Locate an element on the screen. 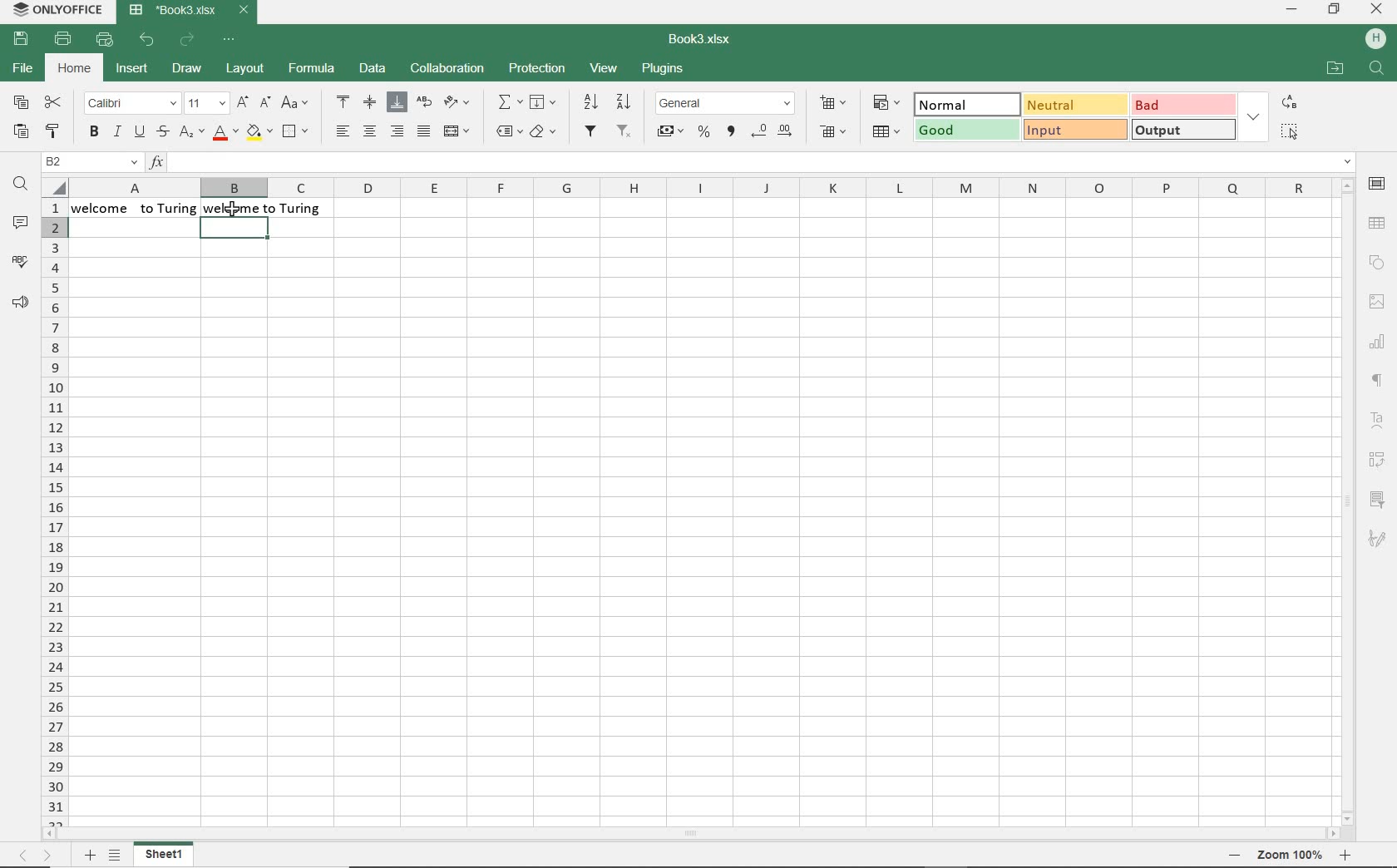 The image size is (1397, 868). italic is located at coordinates (117, 132).